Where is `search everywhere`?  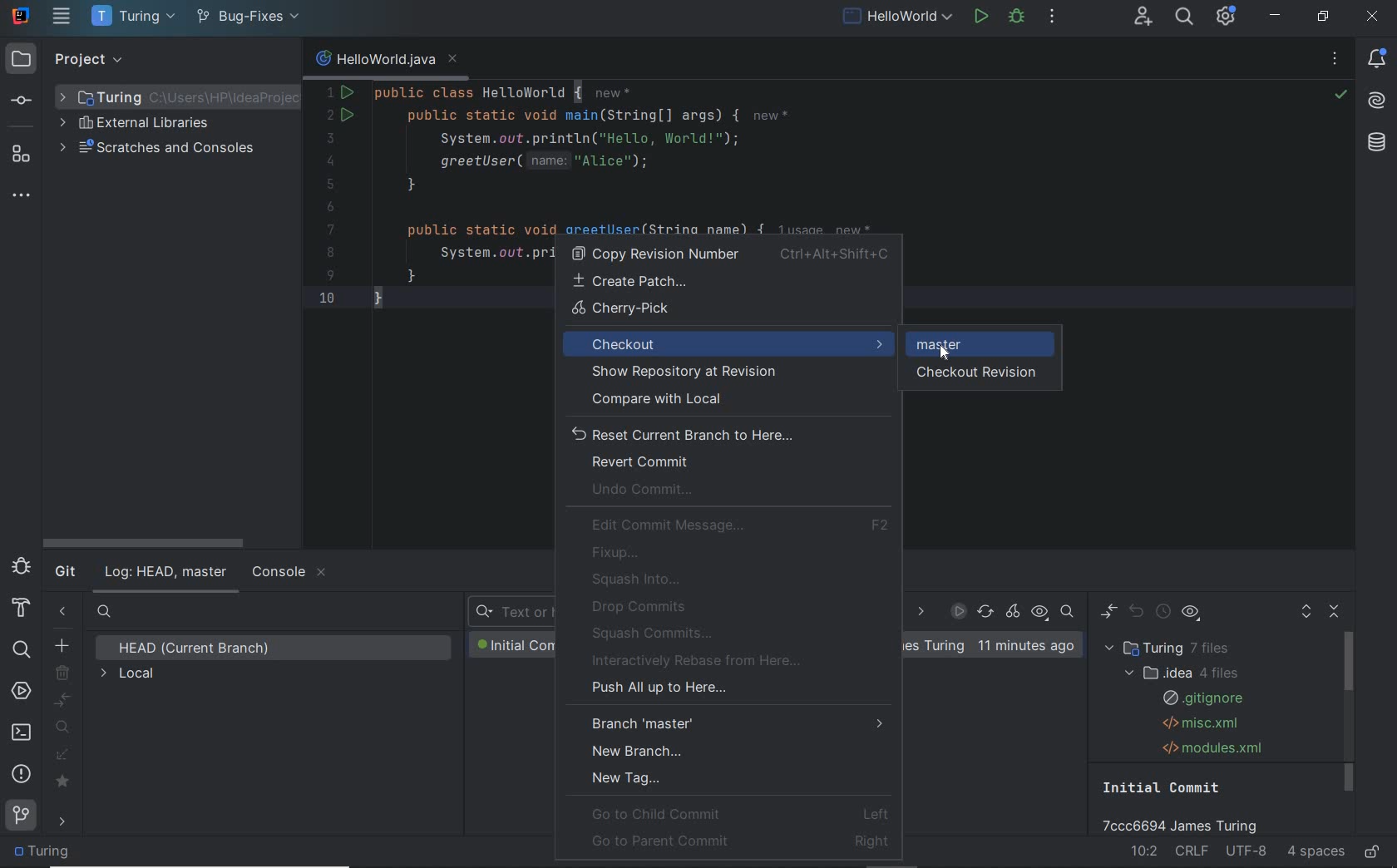
search everywhere is located at coordinates (1184, 17).